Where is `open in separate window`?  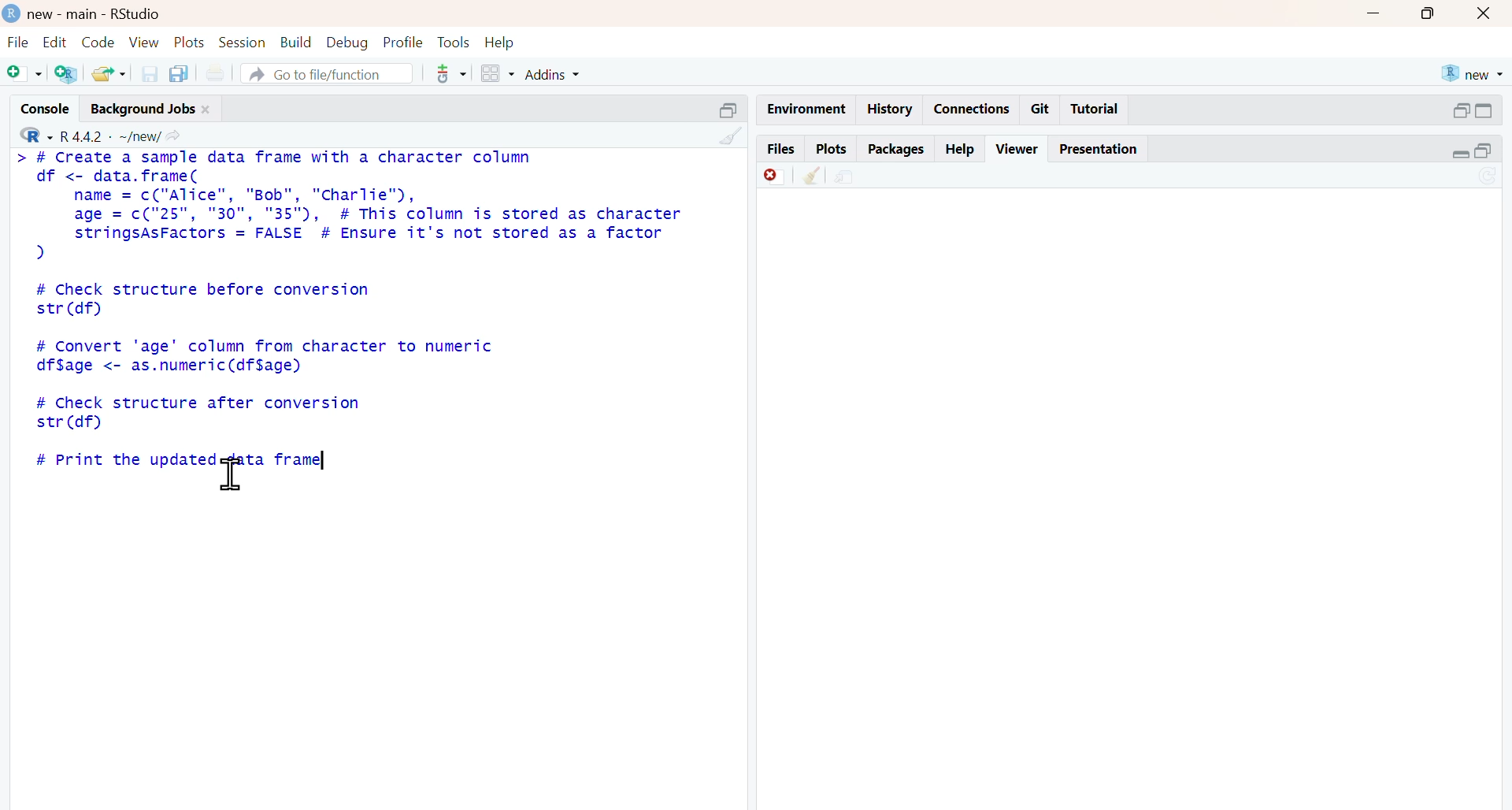 open in separate window is located at coordinates (1483, 151).